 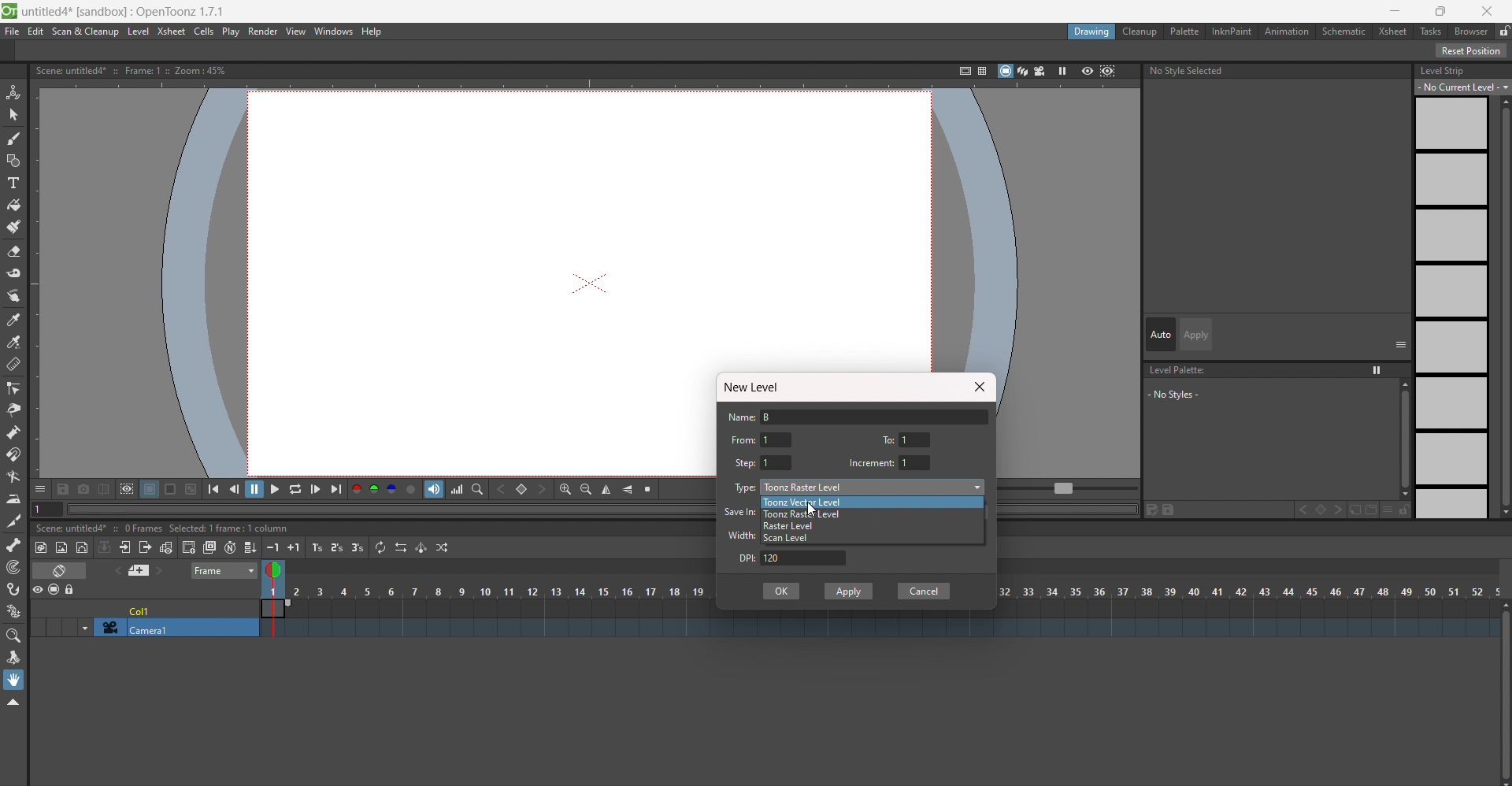 What do you see at coordinates (1012, 72) in the screenshot?
I see `stand view` at bounding box center [1012, 72].